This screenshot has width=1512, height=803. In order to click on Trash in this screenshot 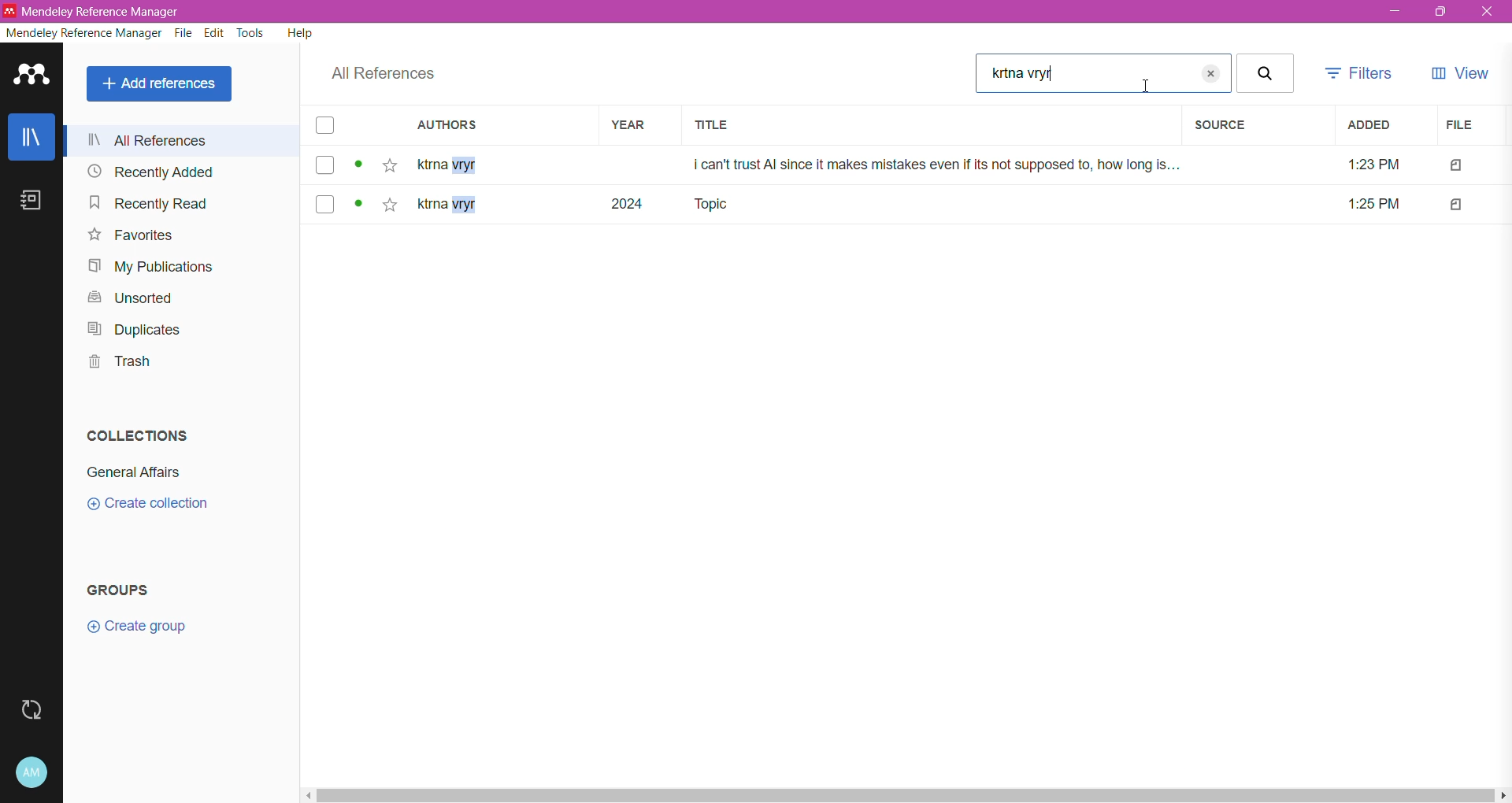, I will do `click(118, 364)`.